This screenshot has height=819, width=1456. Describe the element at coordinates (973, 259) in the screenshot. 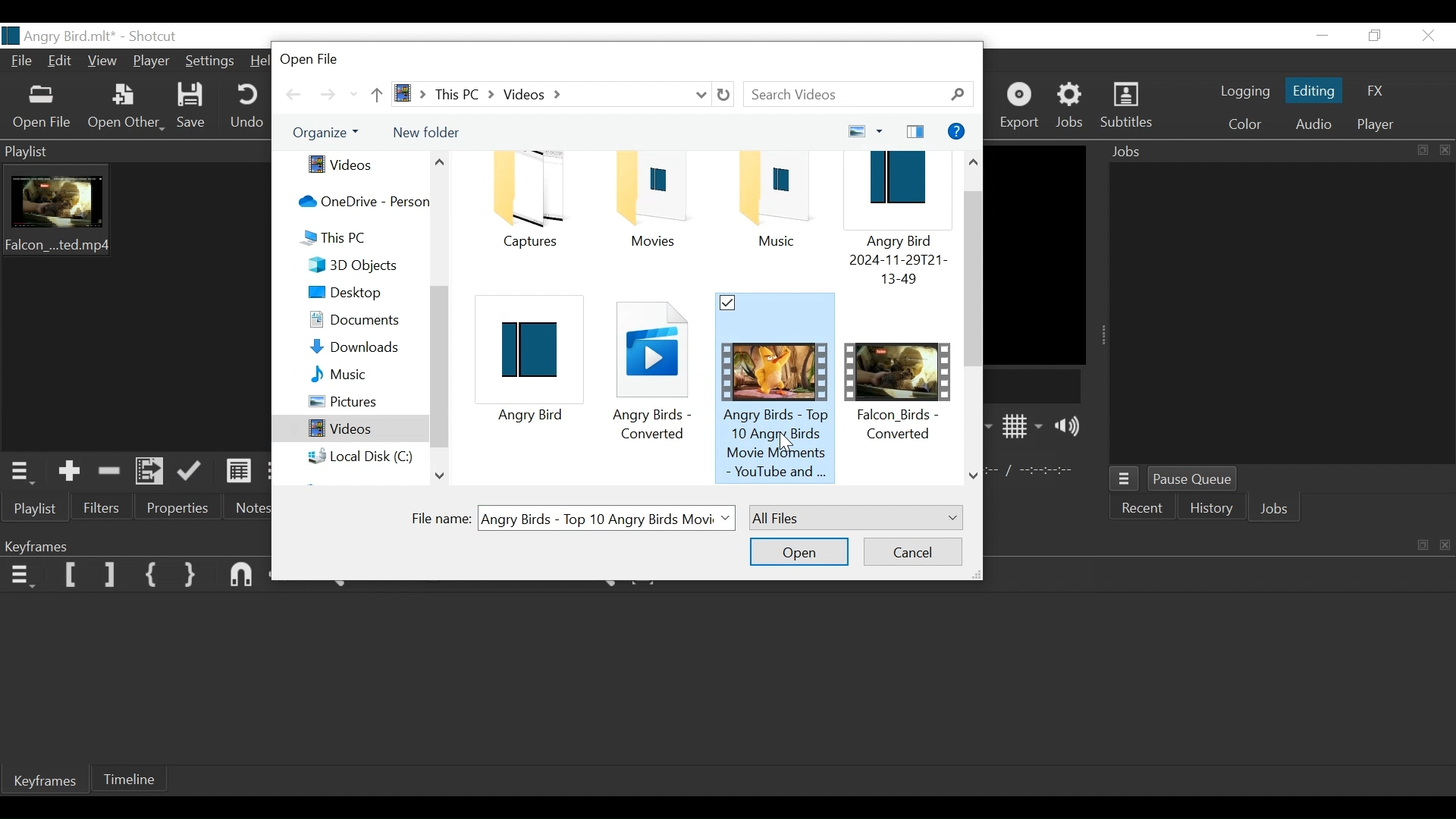

I see `Vertical Scroll bar` at that location.